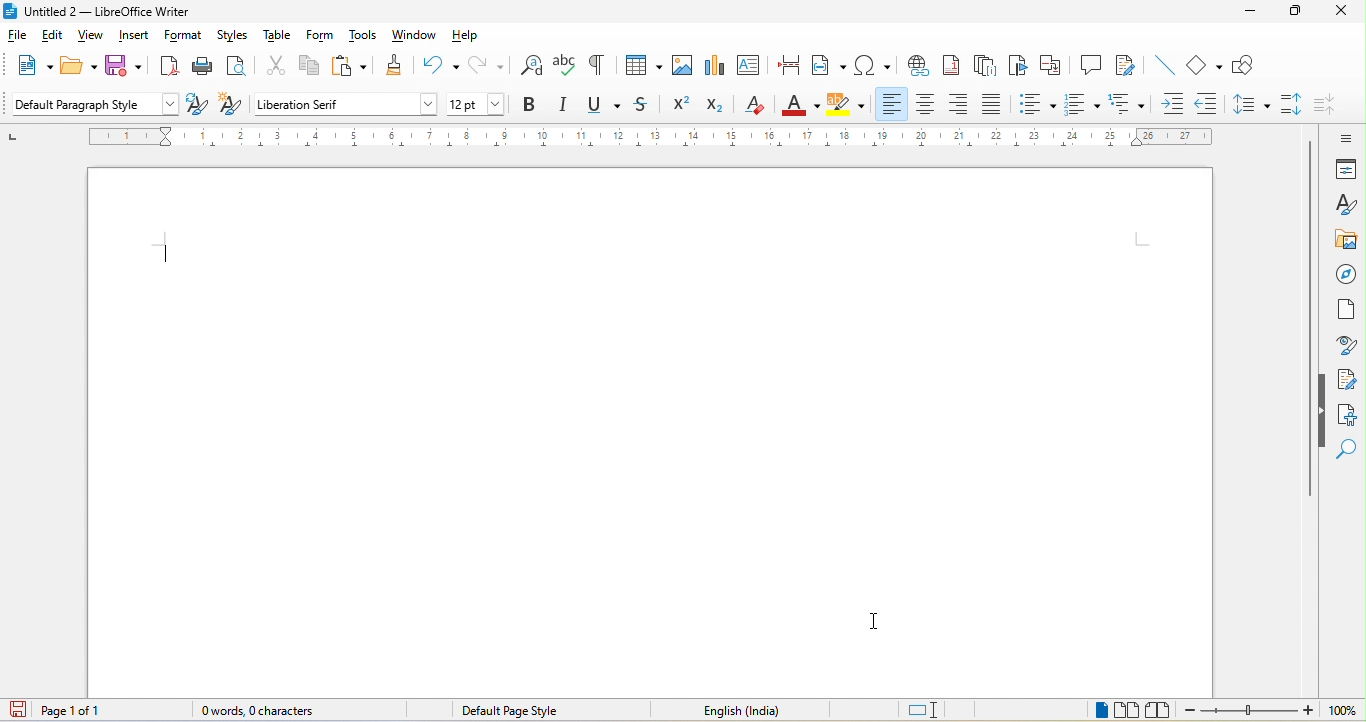  I want to click on hyperlink, so click(917, 68).